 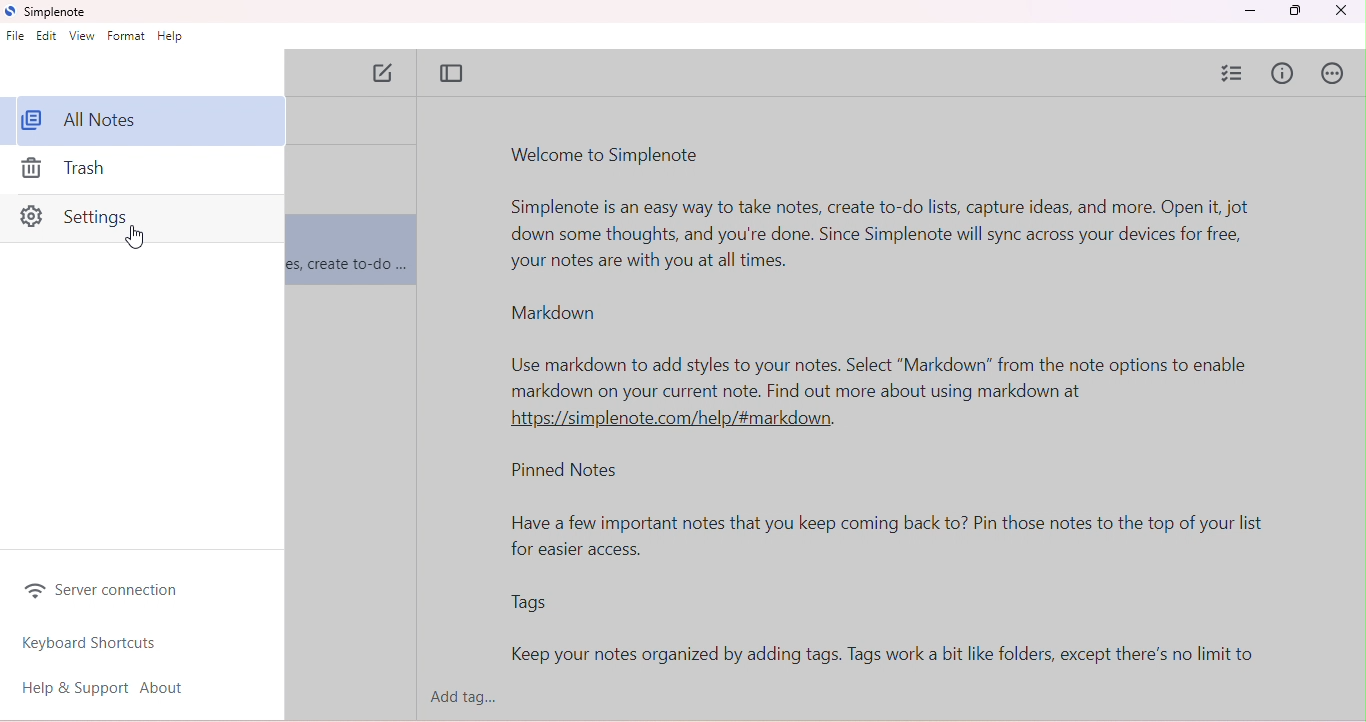 I want to click on welcome text, so click(x=889, y=236).